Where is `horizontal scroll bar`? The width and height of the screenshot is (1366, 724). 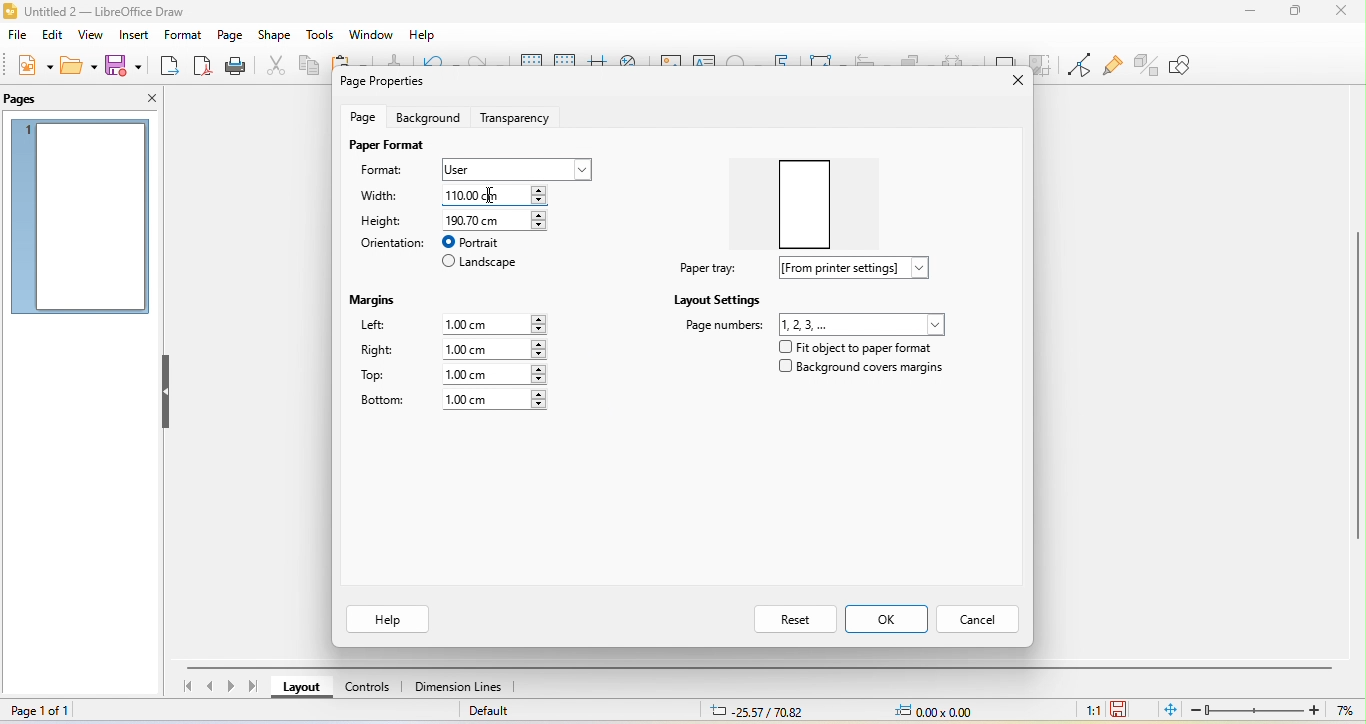
horizontal scroll bar is located at coordinates (763, 665).